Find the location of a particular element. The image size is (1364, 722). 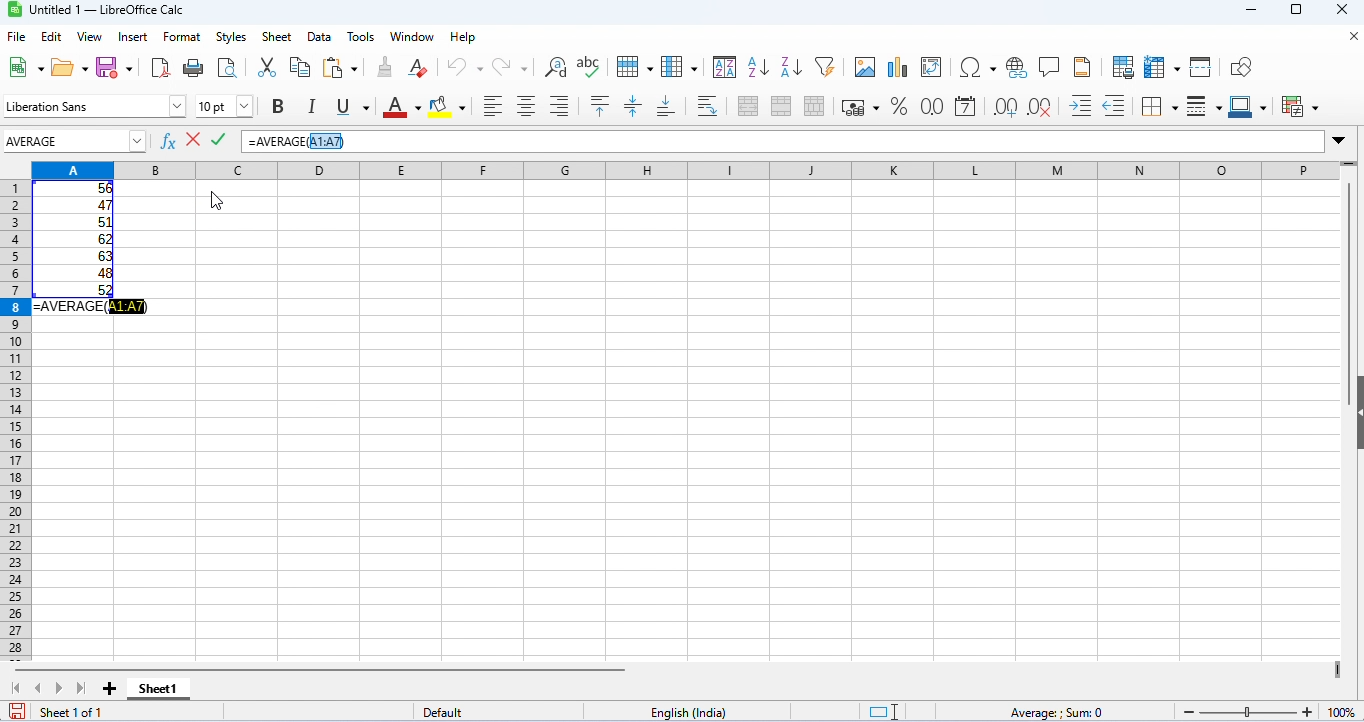

function wizard is located at coordinates (169, 141).